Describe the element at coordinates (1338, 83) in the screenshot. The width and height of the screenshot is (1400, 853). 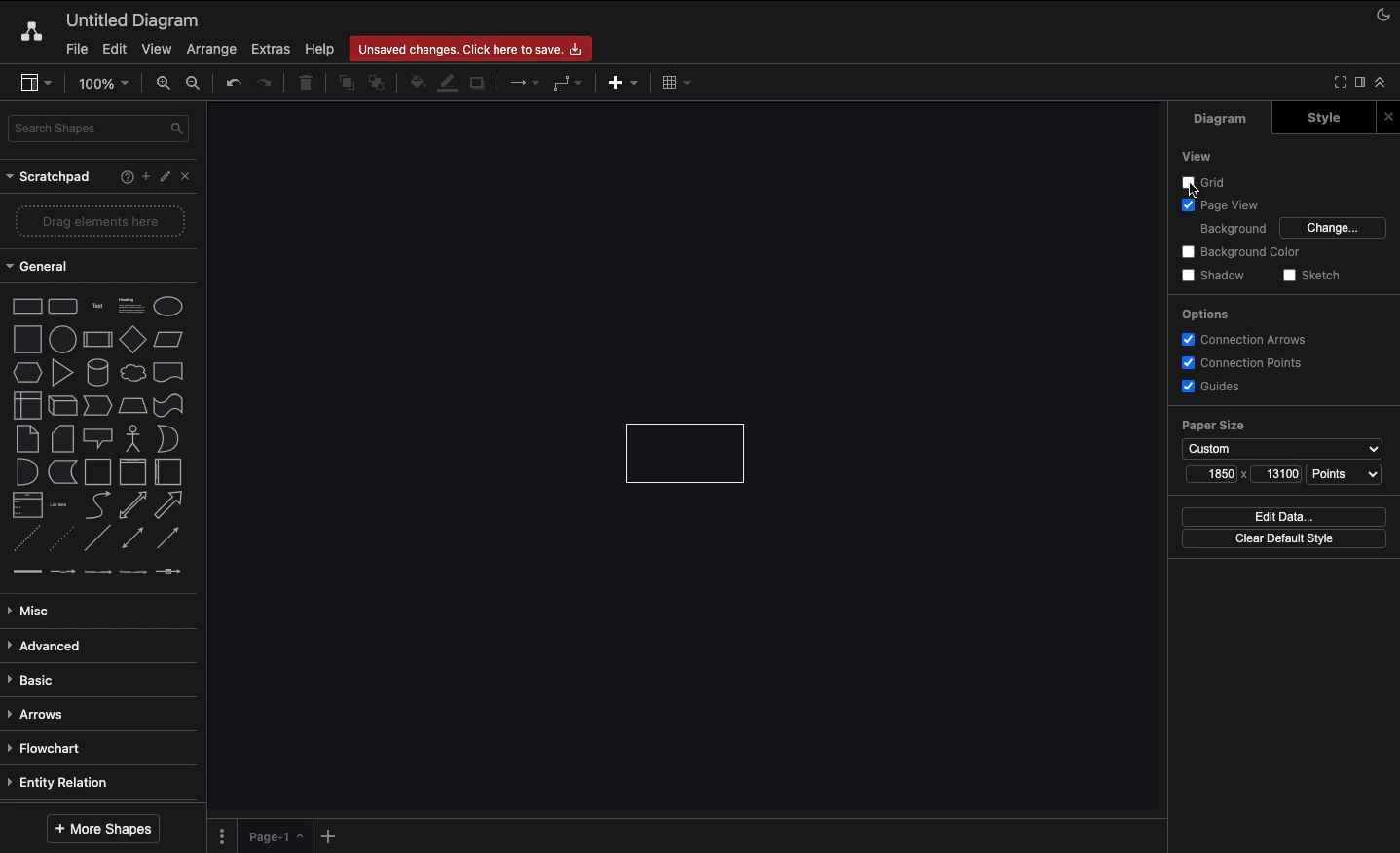
I see `Full screen` at that location.